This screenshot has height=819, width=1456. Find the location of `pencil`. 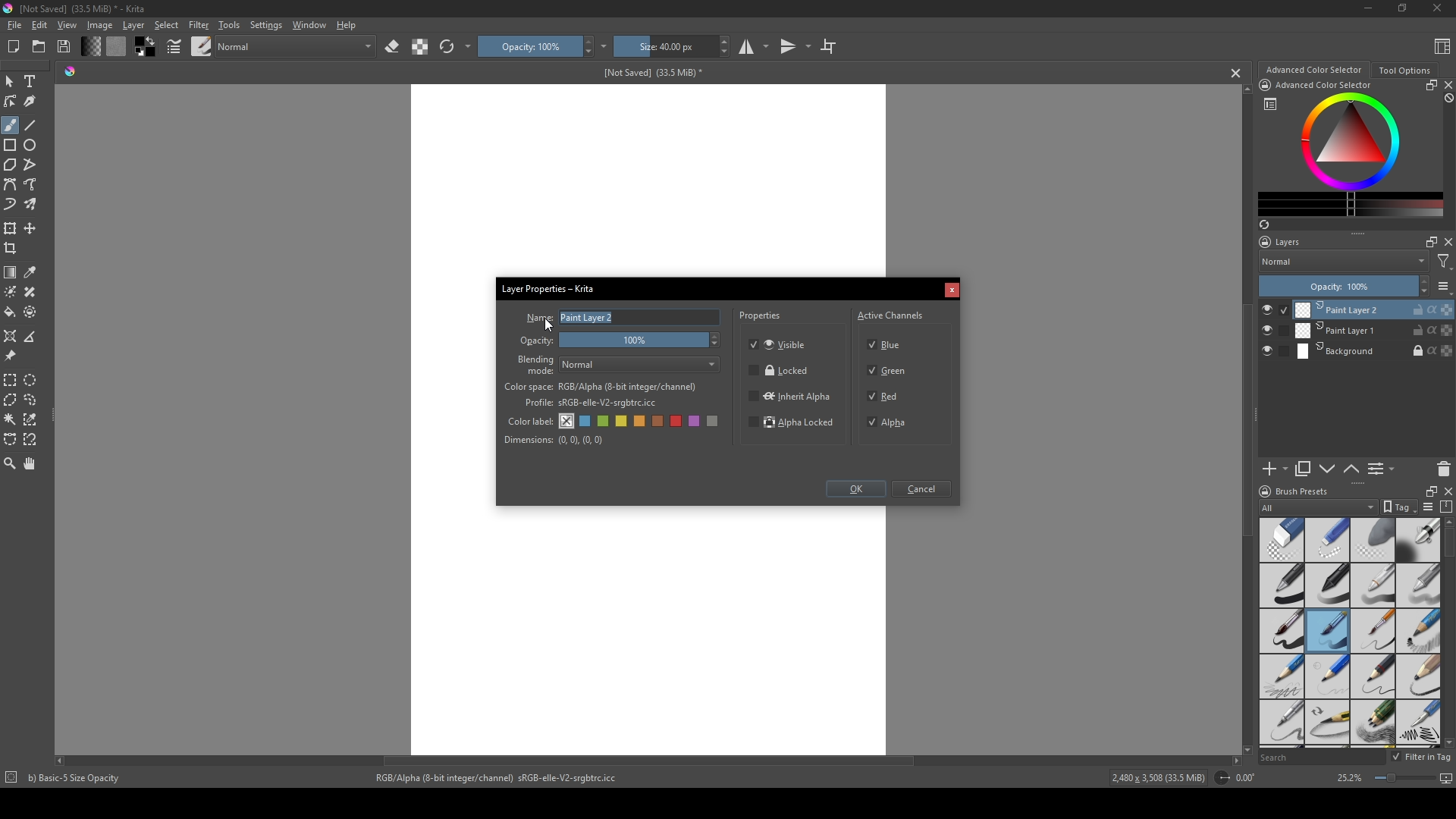

pencil is located at coordinates (1419, 632).